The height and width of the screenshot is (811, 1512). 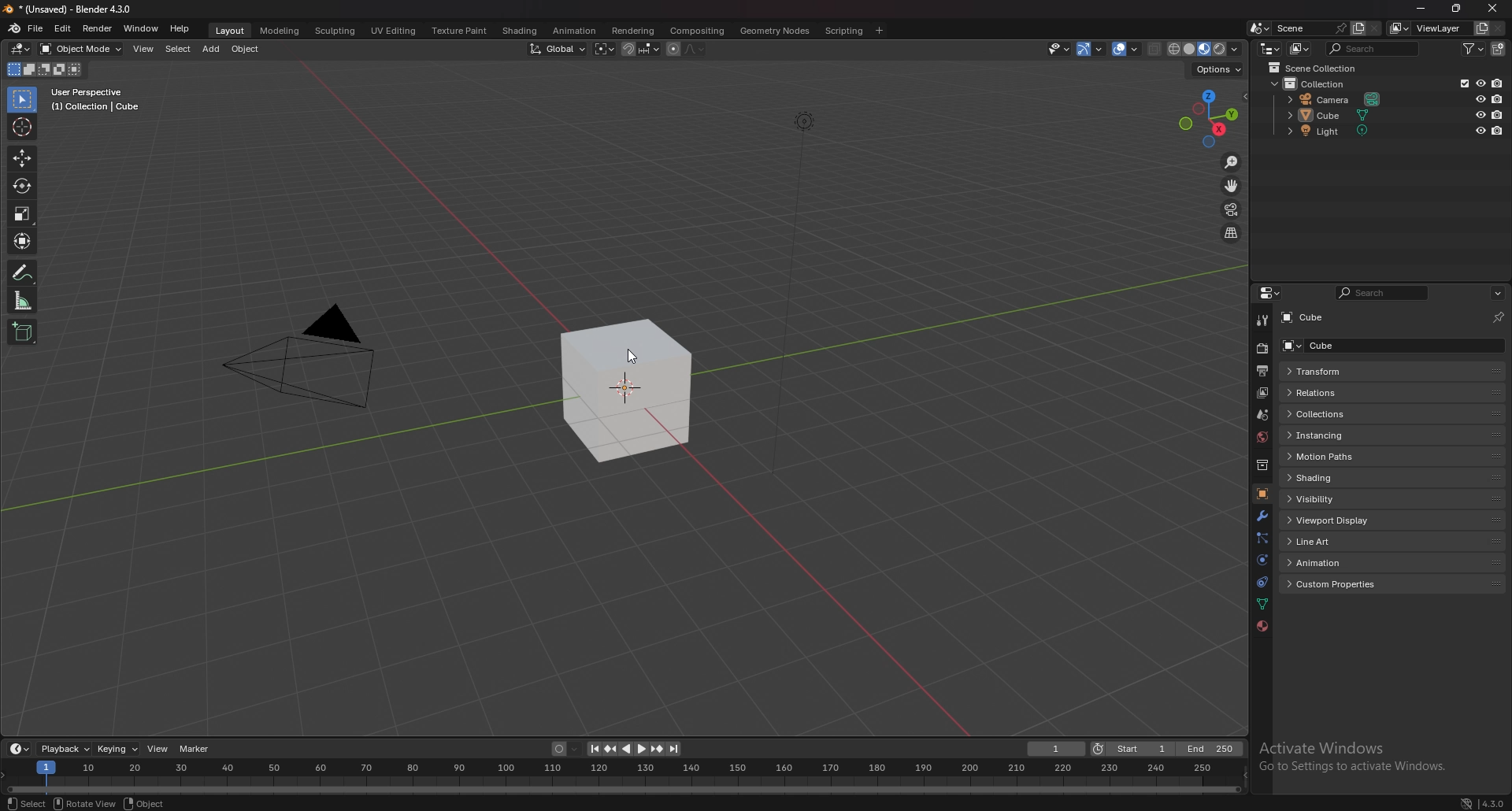 I want to click on shading, so click(x=519, y=31).